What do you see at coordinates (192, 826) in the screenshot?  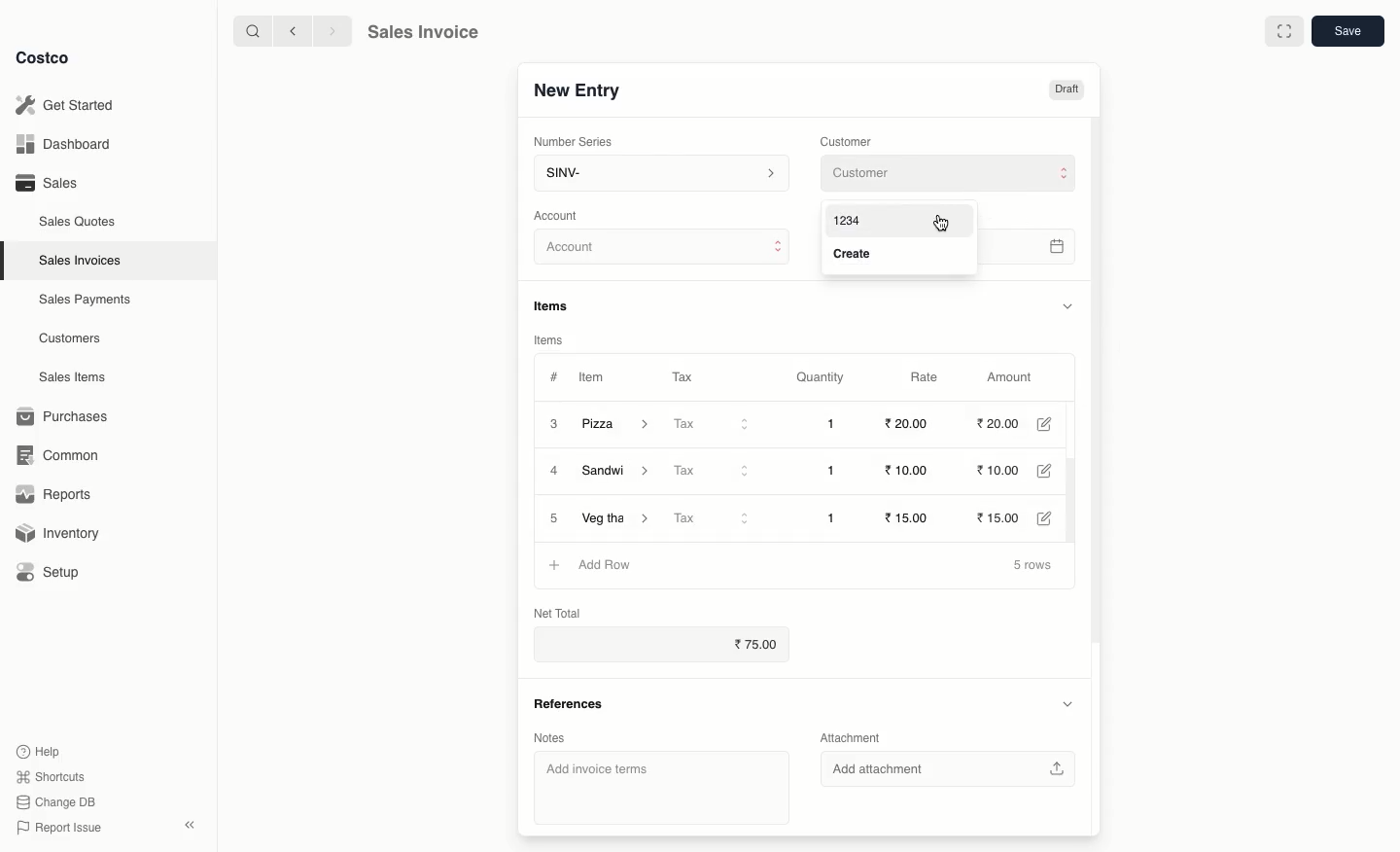 I see `Collapse` at bounding box center [192, 826].